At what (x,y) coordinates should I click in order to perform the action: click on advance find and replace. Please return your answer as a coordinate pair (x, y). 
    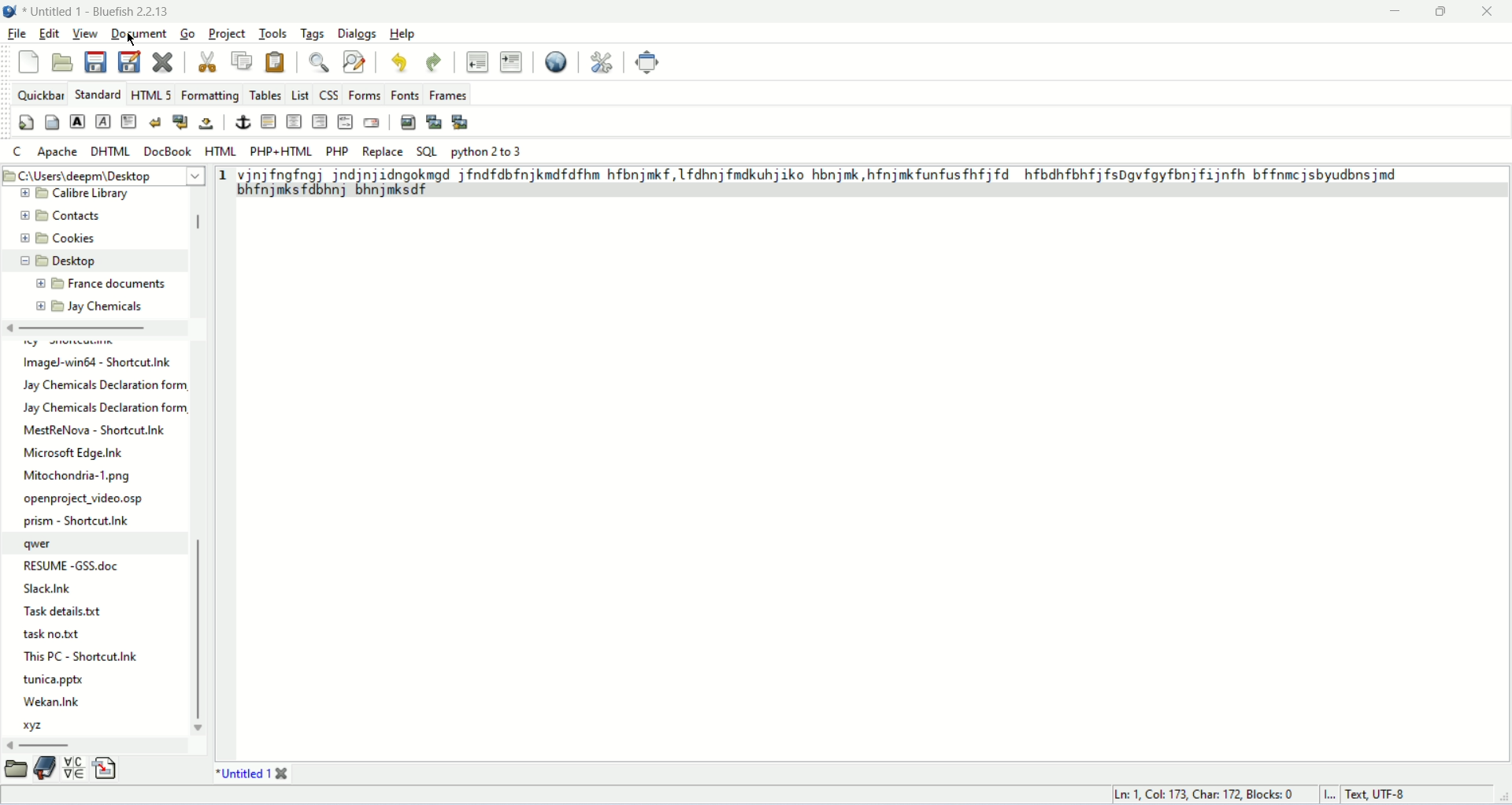
    Looking at the image, I should click on (355, 61).